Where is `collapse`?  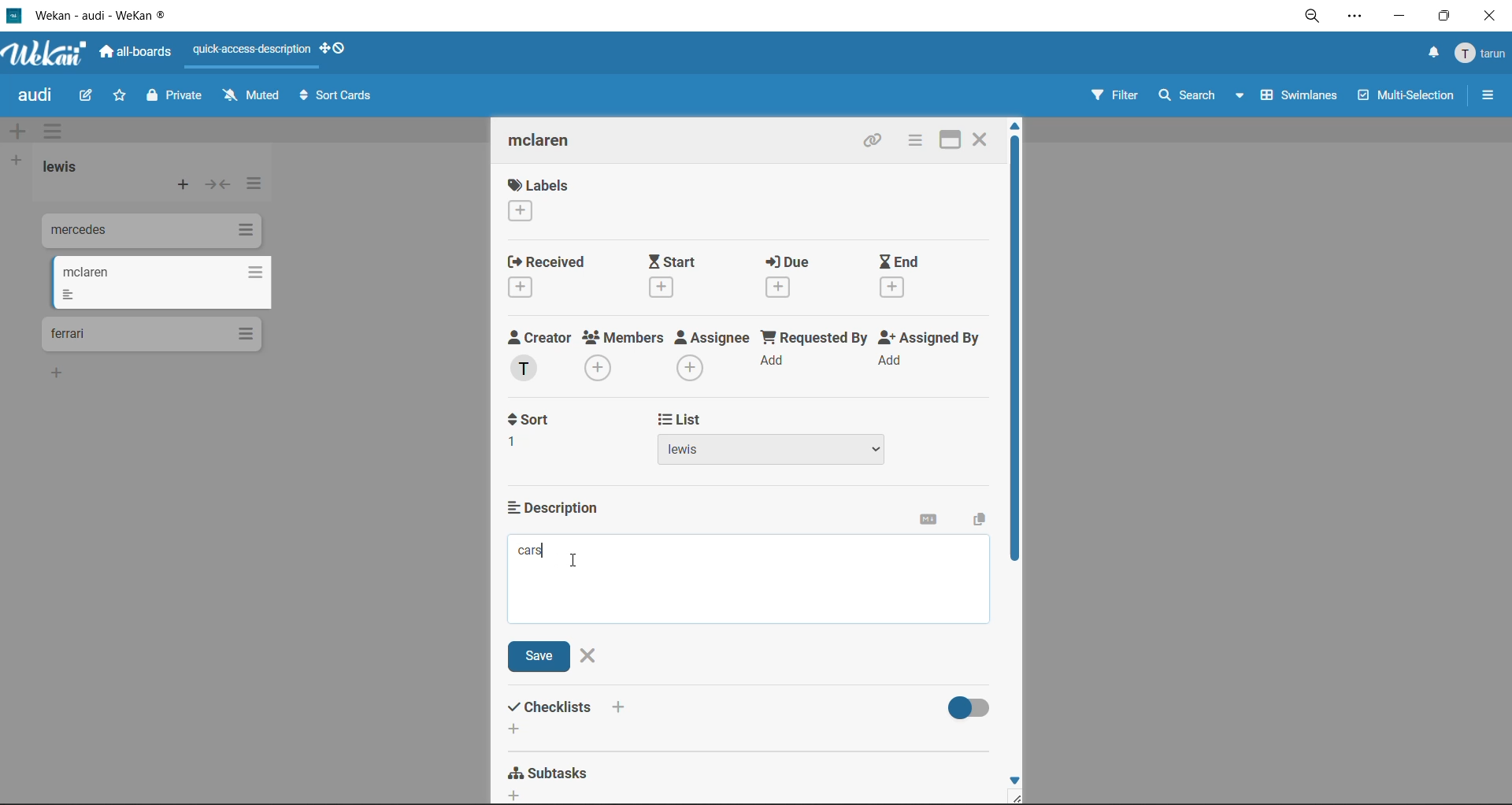
collapse is located at coordinates (217, 184).